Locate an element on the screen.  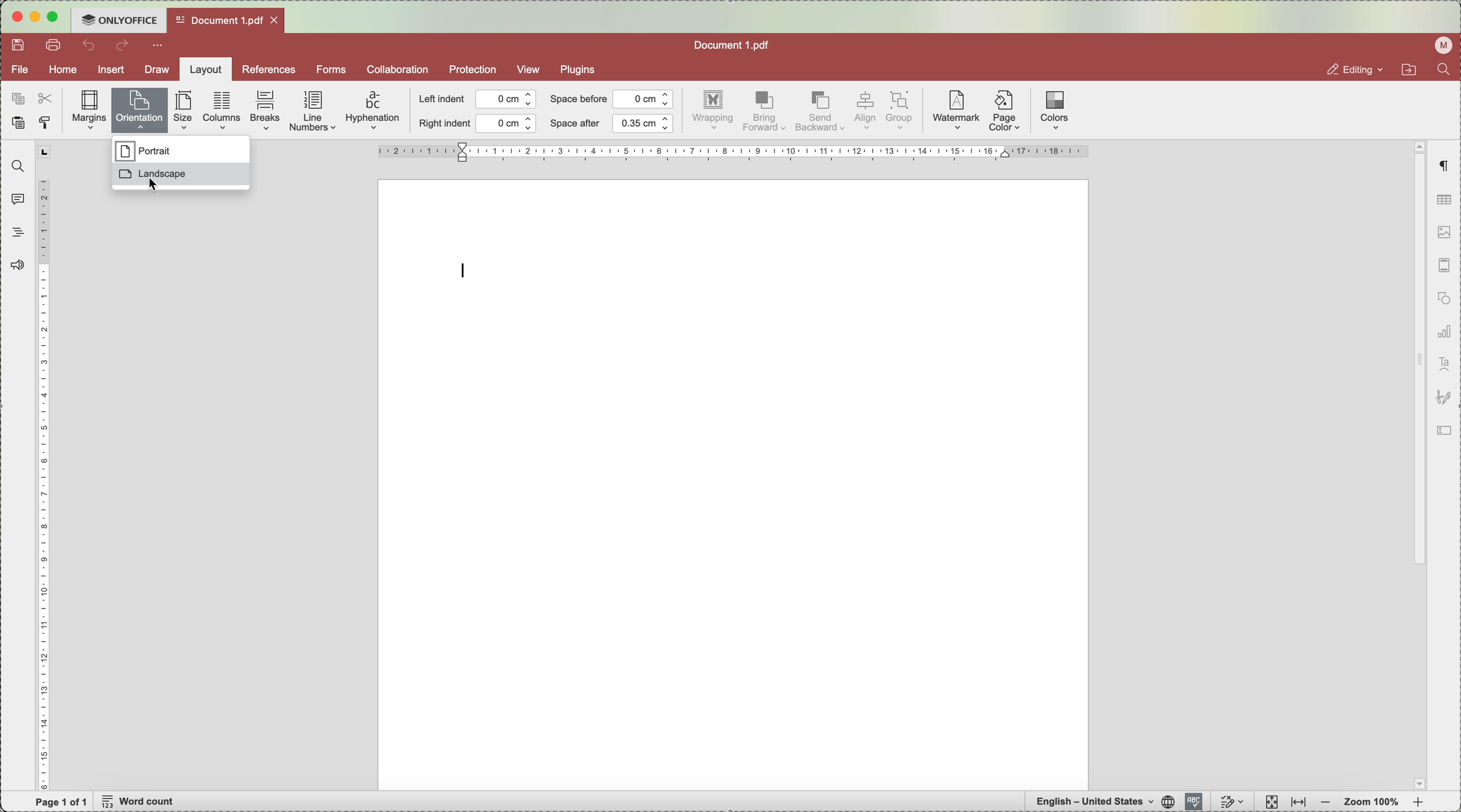
minimize is located at coordinates (36, 18).